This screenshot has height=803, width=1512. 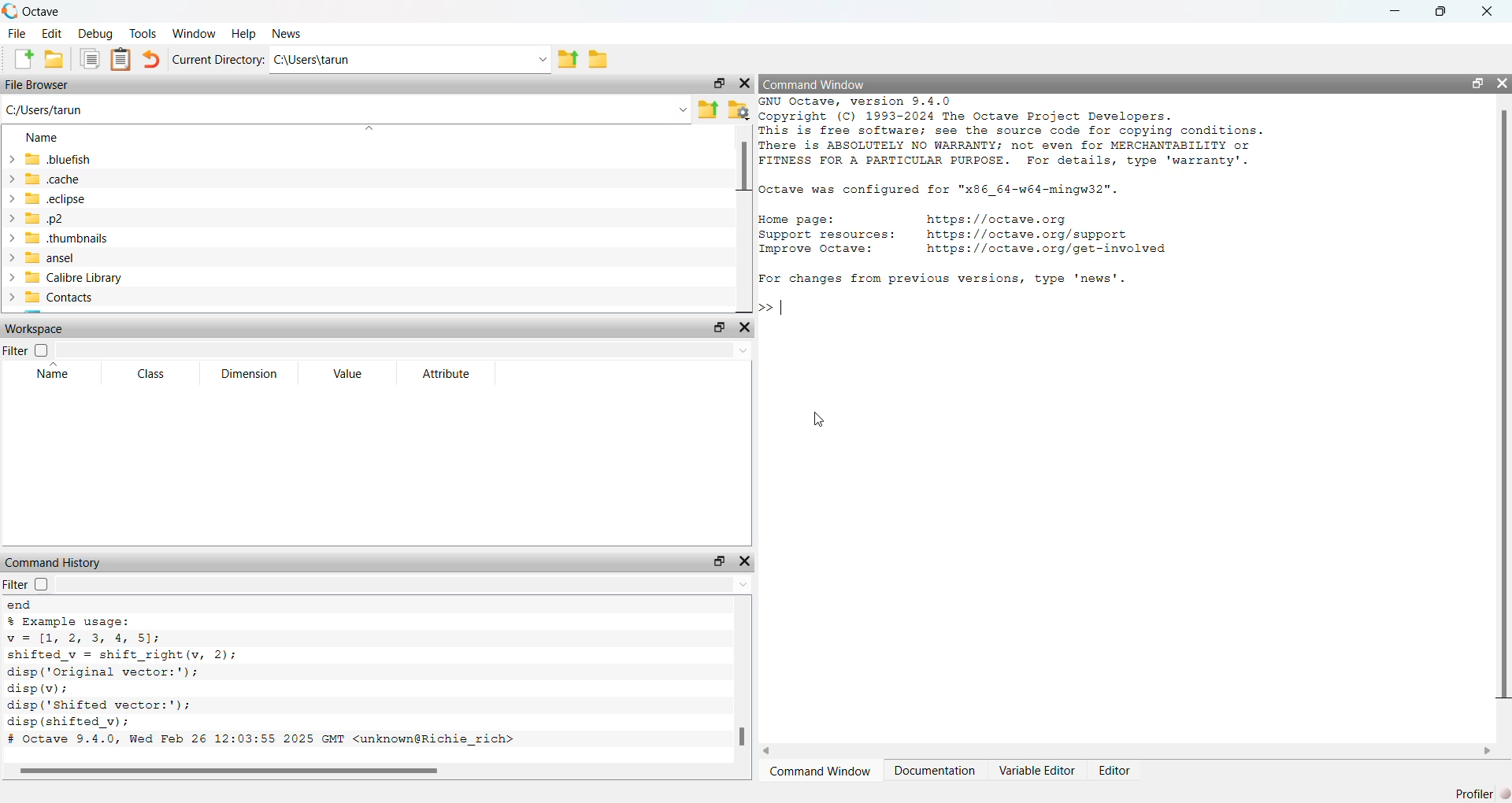 What do you see at coordinates (143, 682) in the screenshot?
I see `example usage code` at bounding box center [143, 682].